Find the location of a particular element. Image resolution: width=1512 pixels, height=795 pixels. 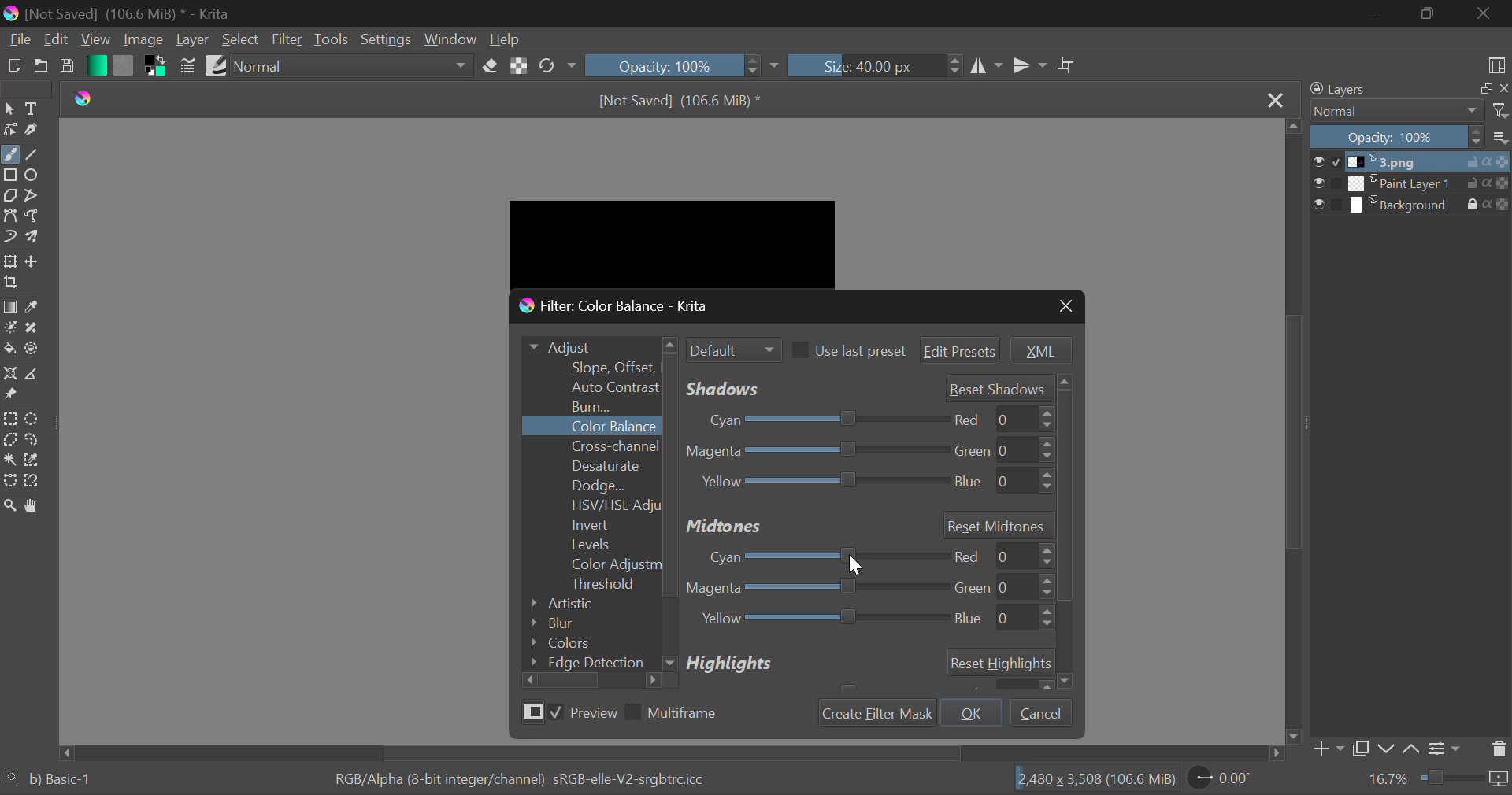

16.7% is located at coordinates (1388, 780).